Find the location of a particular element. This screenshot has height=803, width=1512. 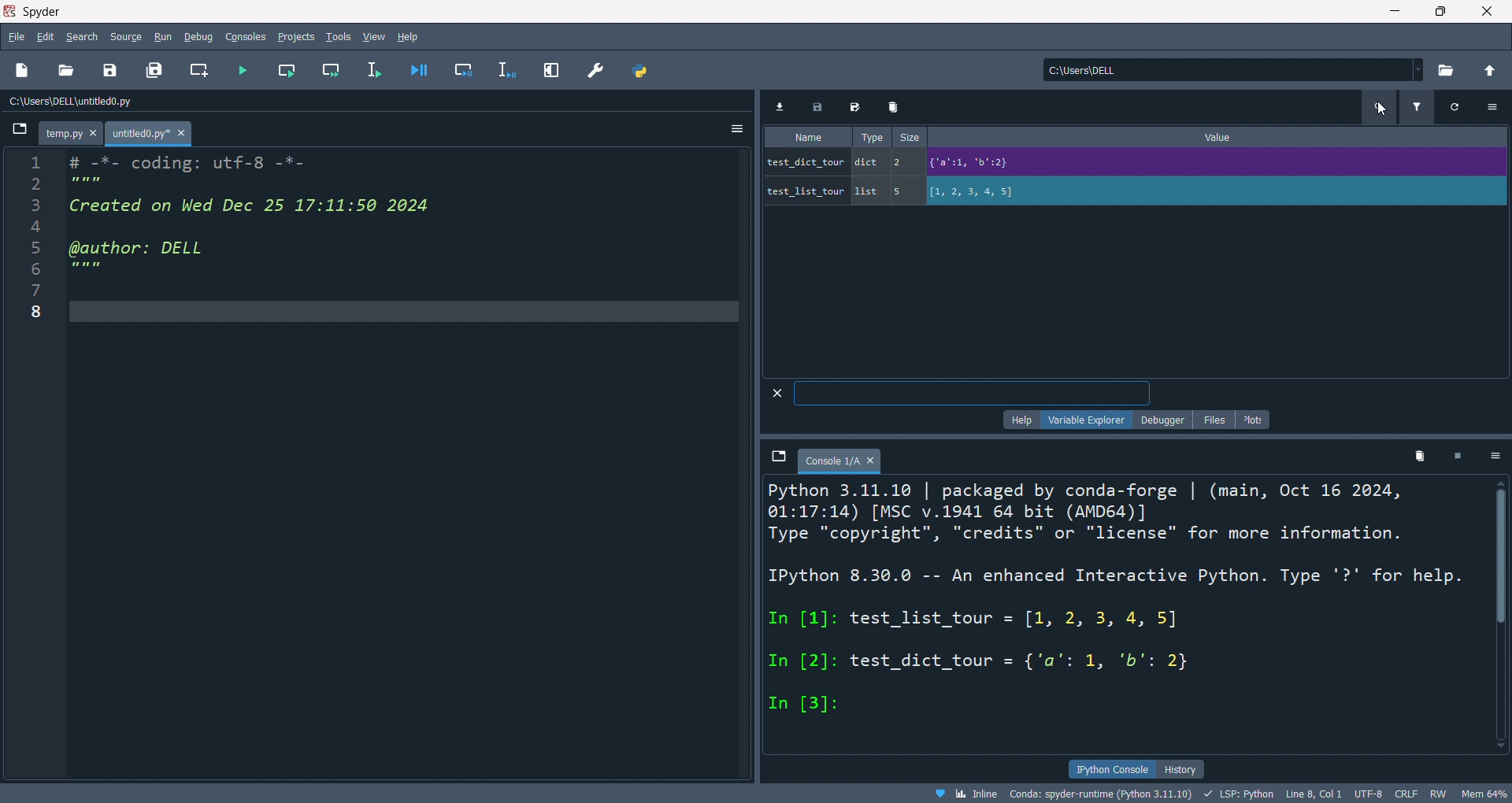

cursor is located at coordinates (1383, 109).